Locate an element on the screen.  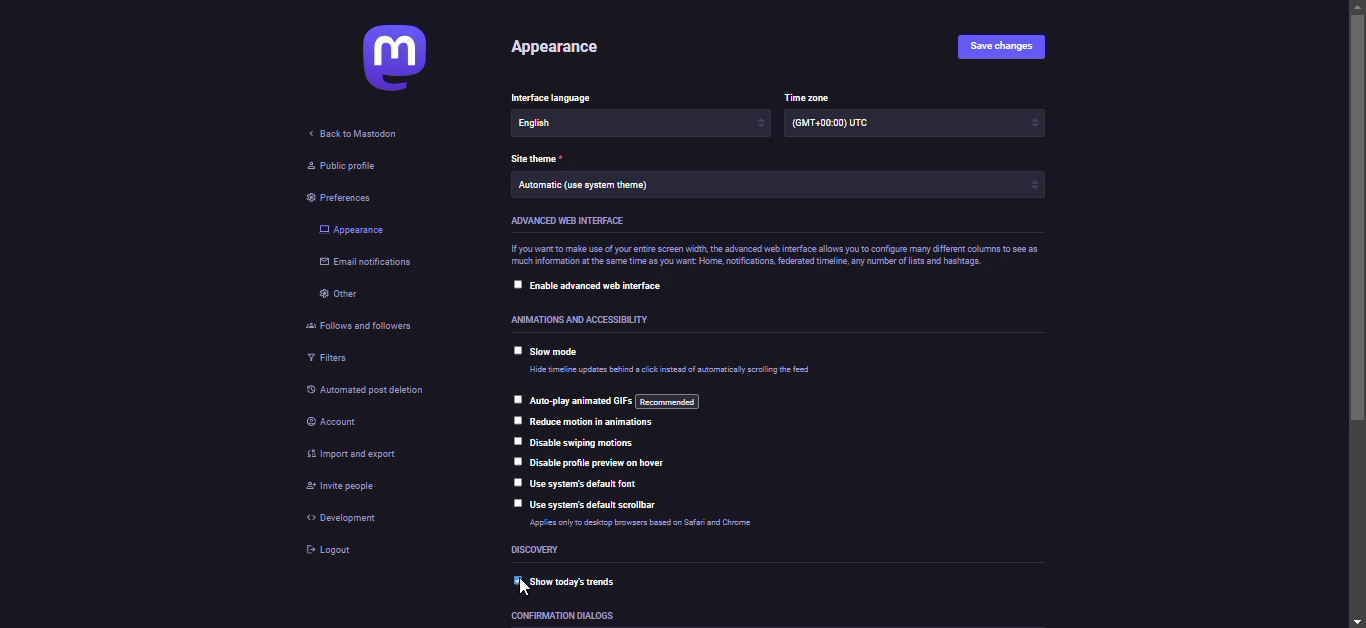
back to mastodon is located at coordinates (355, 132).